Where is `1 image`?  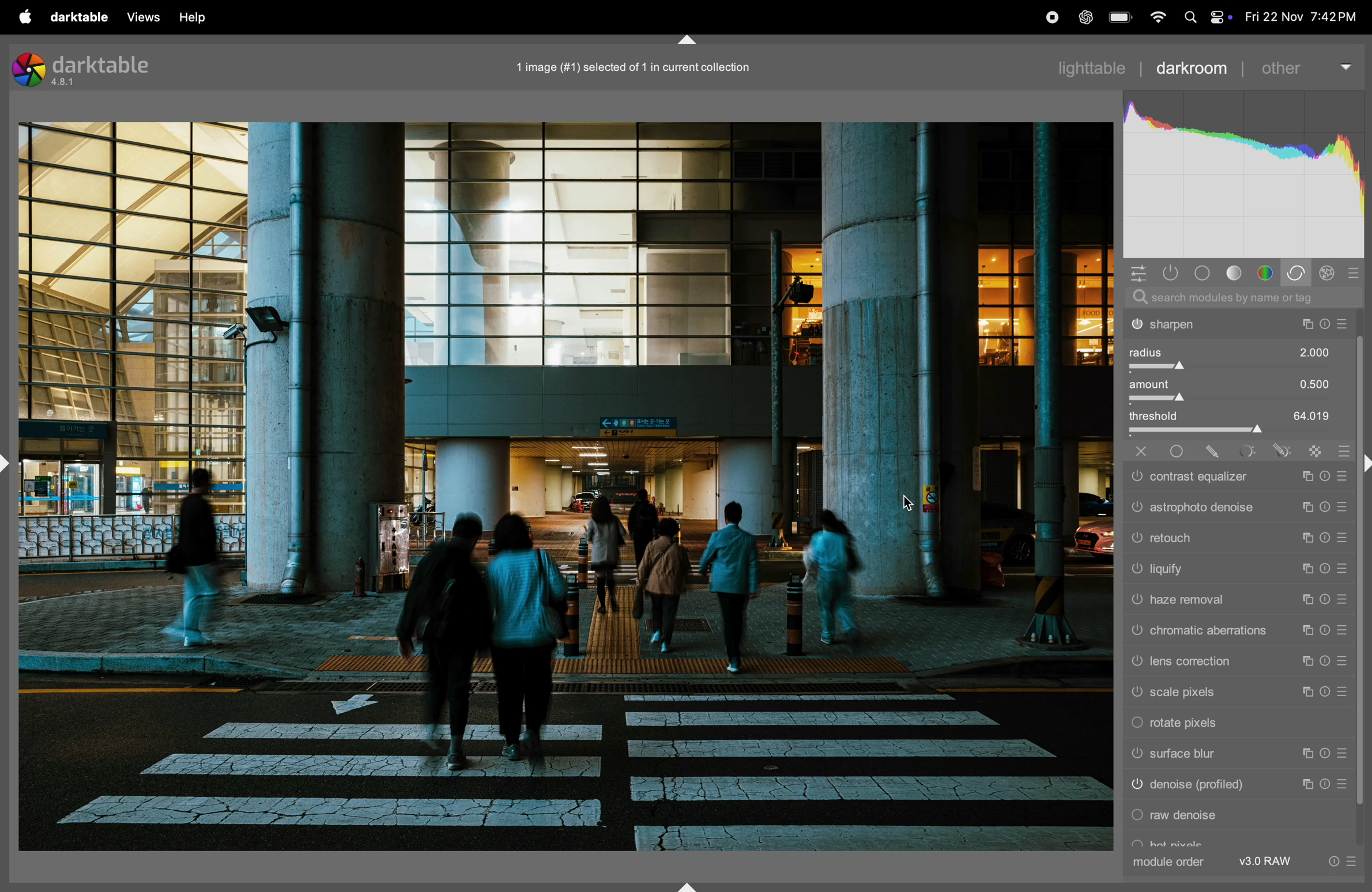 1 image is located at coordinates (640, 65).